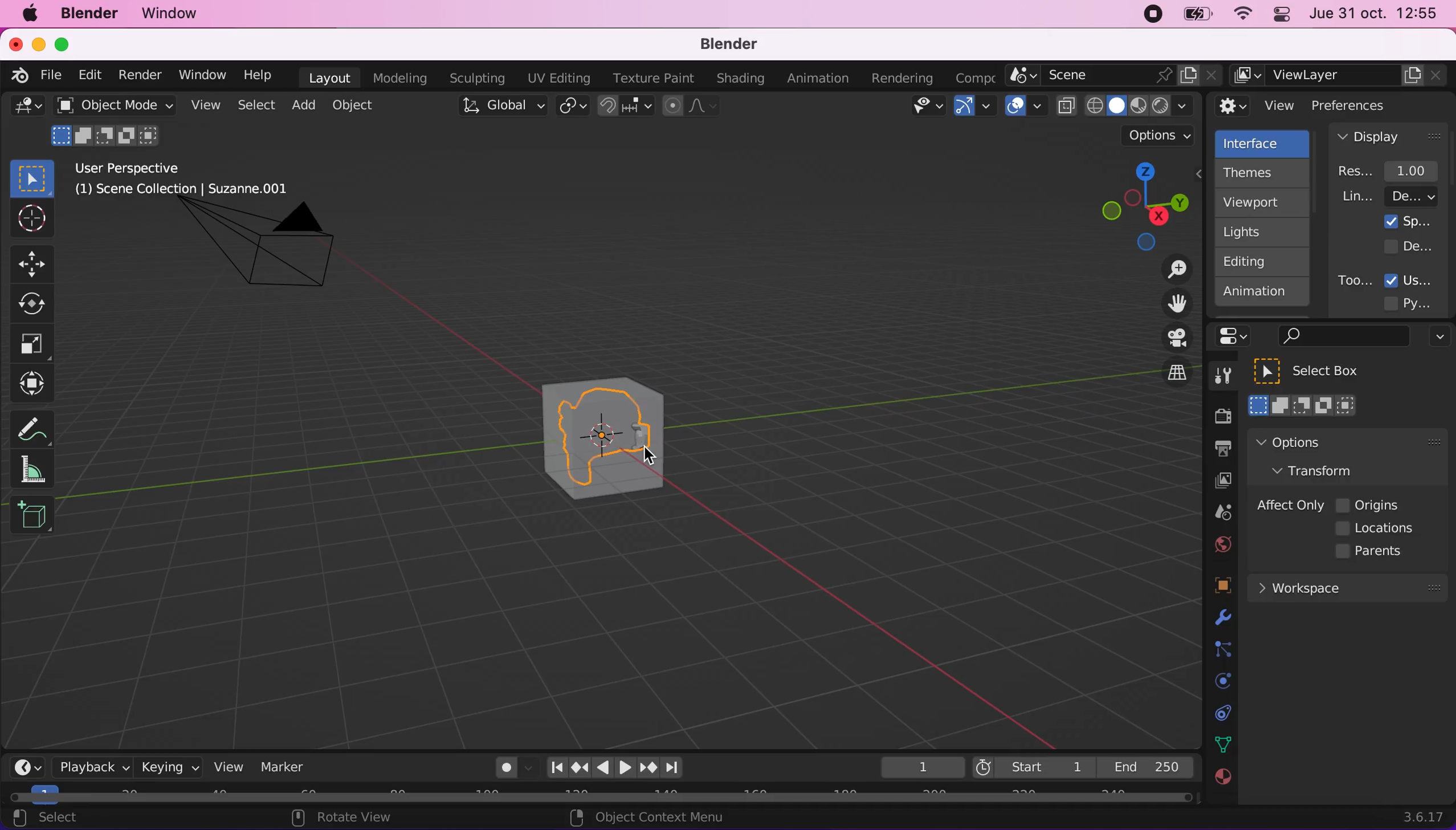 The image size is (1456, 830). What do you see at coordinates (971, 76) in the screenshot?
I see `active workspace` at bounding box center [971, 76].